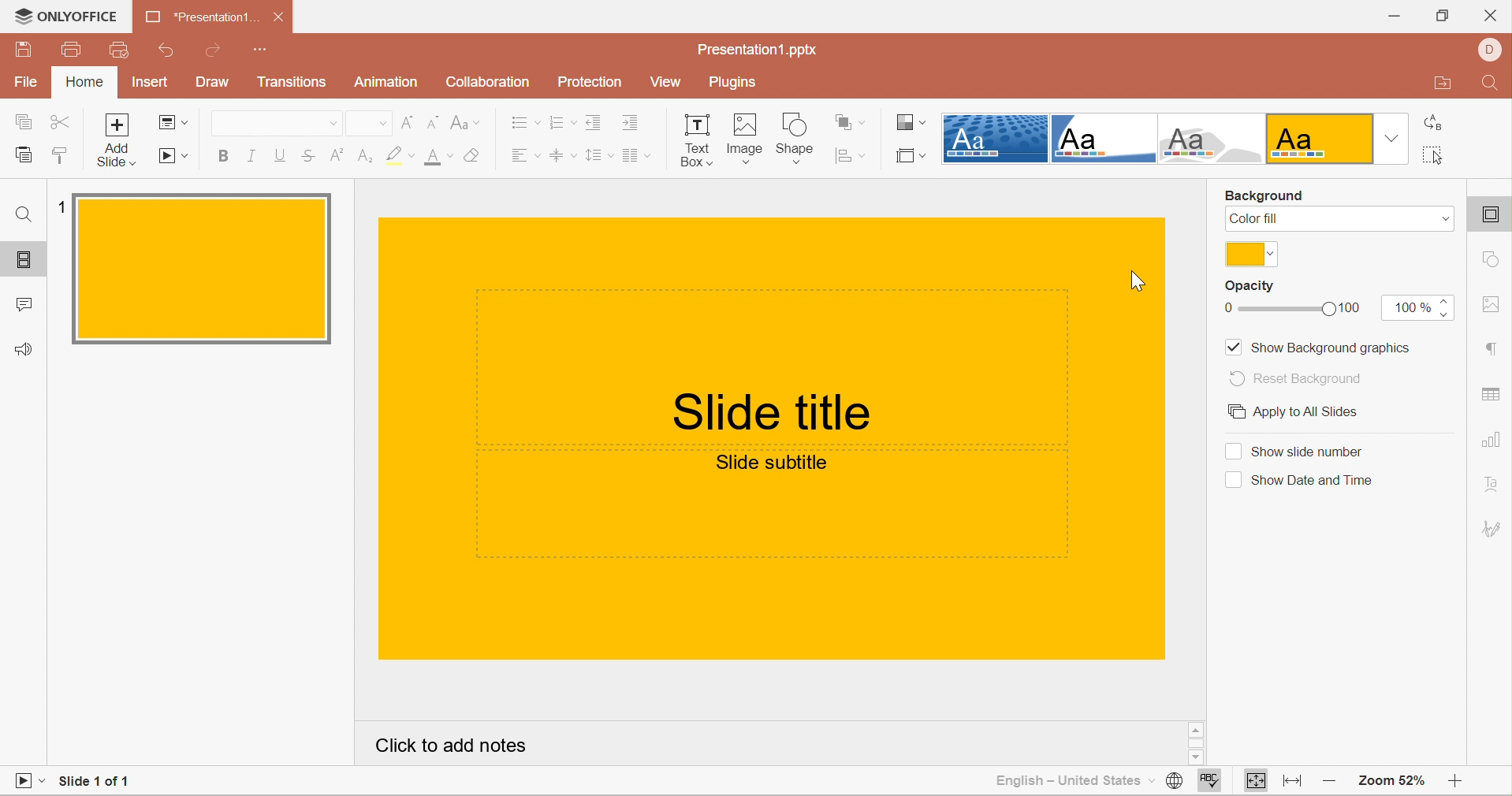 Image resolution: width=1512 pixels, height=796 pixels. Describe the element at coordinates (337, 156) in the screenshot. I see `Superscript` at that location.